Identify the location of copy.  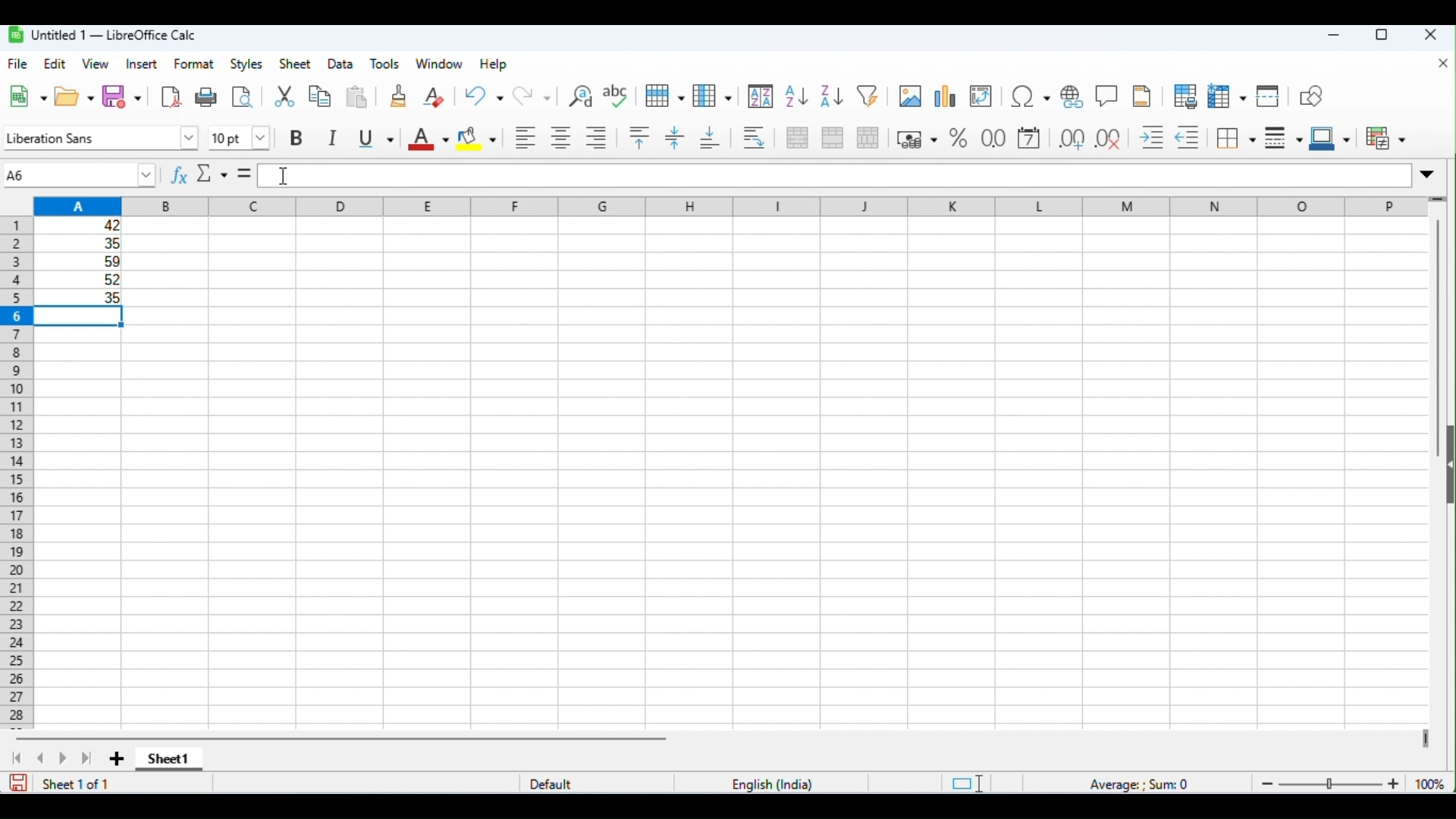
(322, 96).